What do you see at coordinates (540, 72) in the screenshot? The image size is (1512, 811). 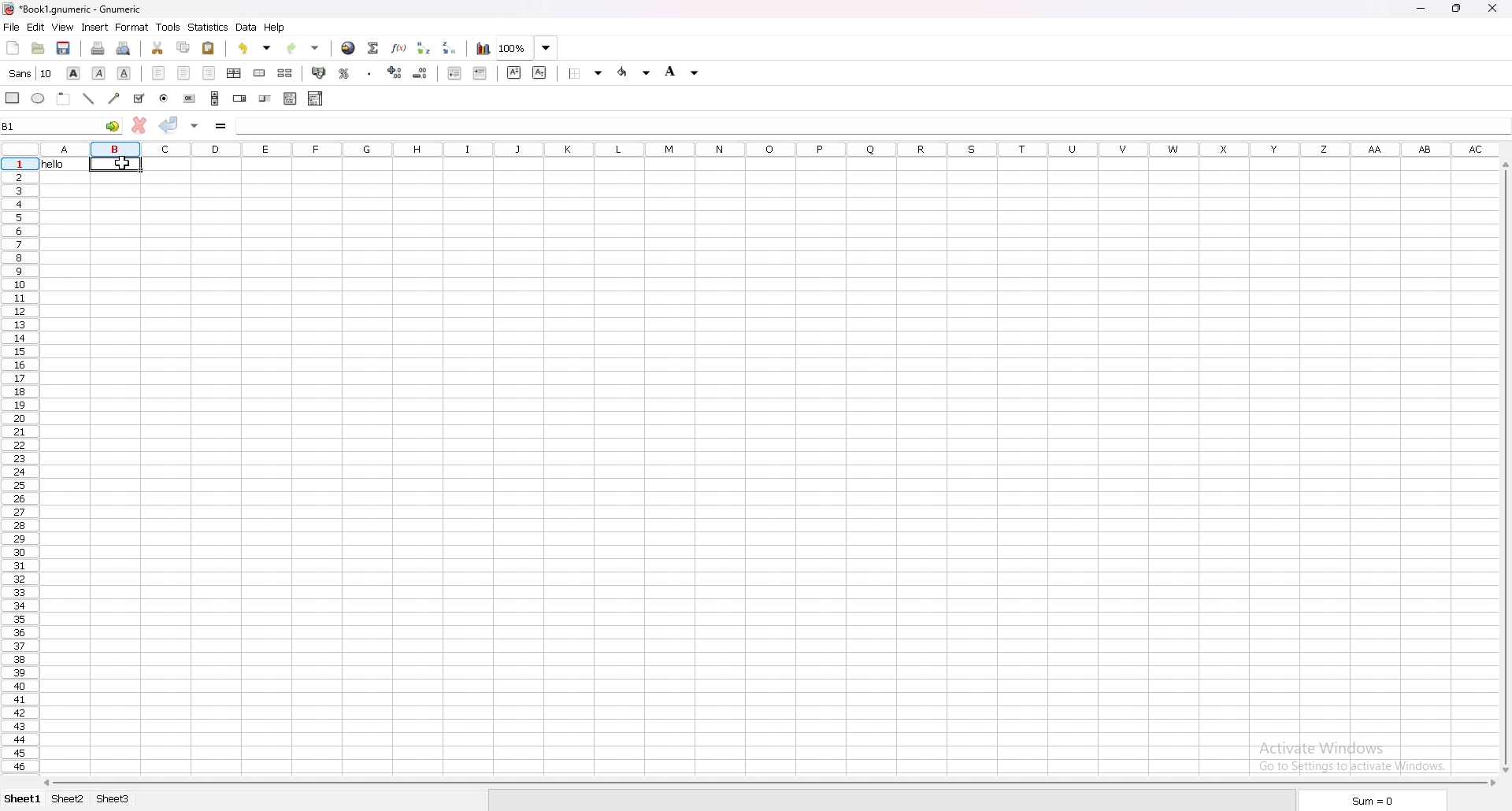 I see `subscript` at bounding box center [540, 72].